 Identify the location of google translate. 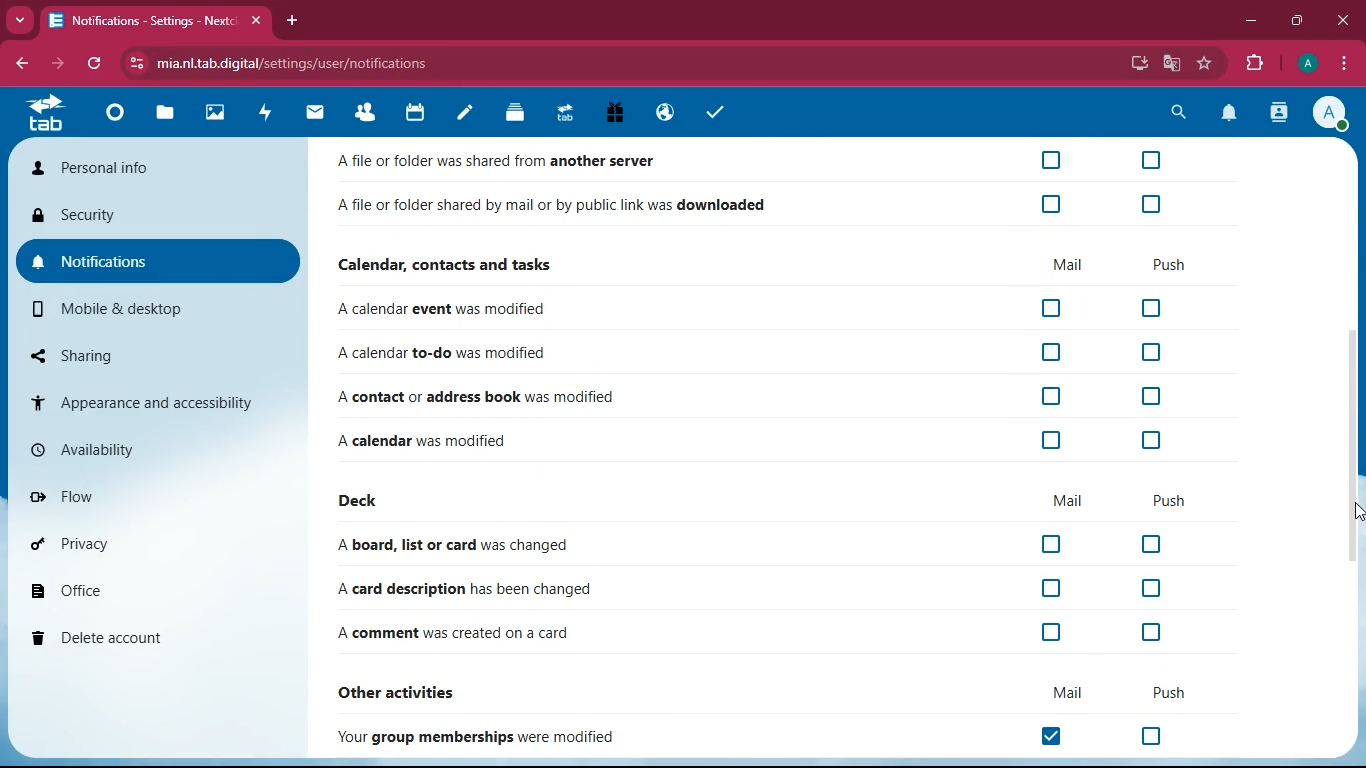
(1172, 63).